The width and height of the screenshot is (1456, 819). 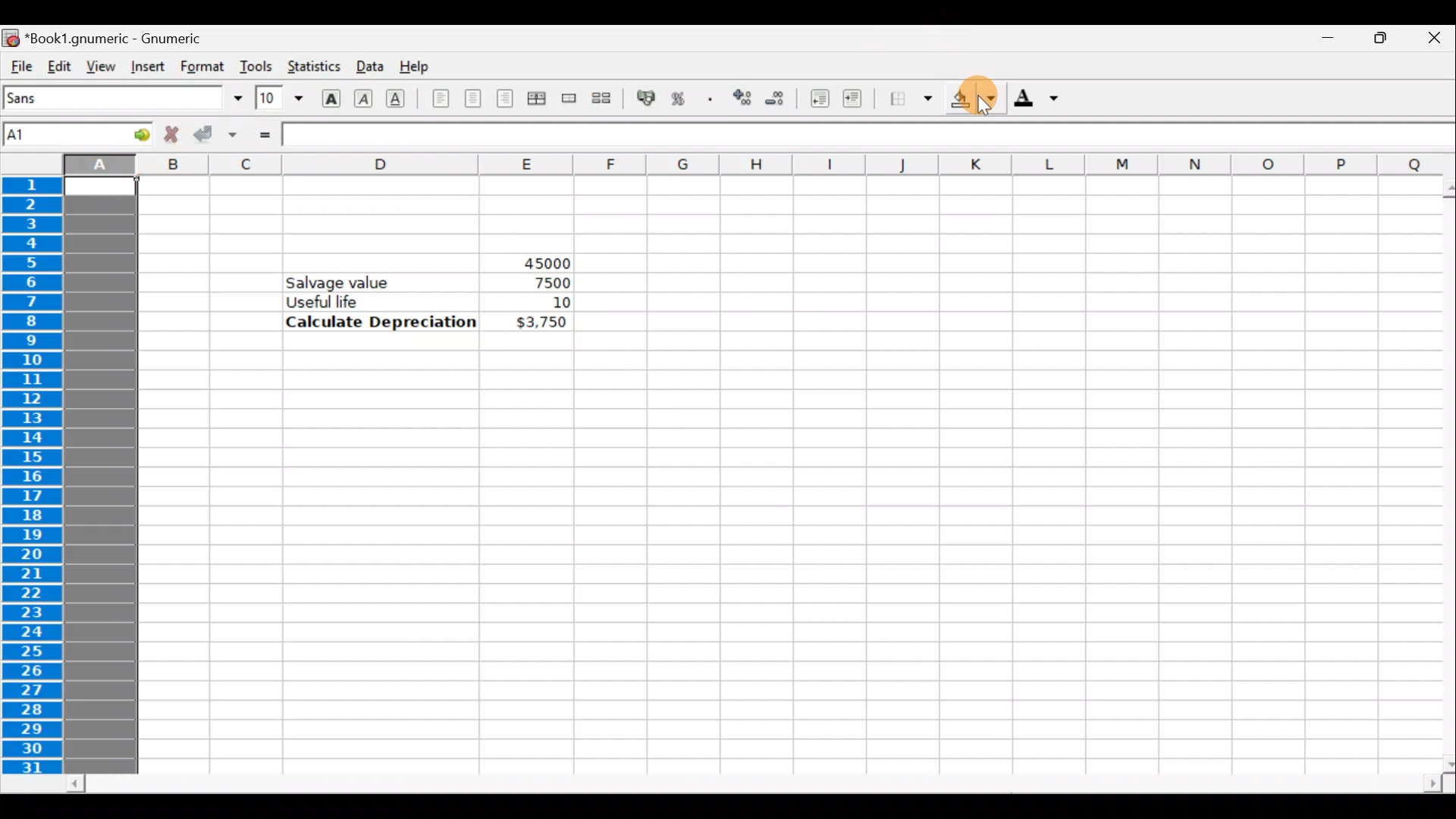 What do you see at coordinates (36, 477) in the screenshot?
I see `Rows` at bounding box center [36, 477].